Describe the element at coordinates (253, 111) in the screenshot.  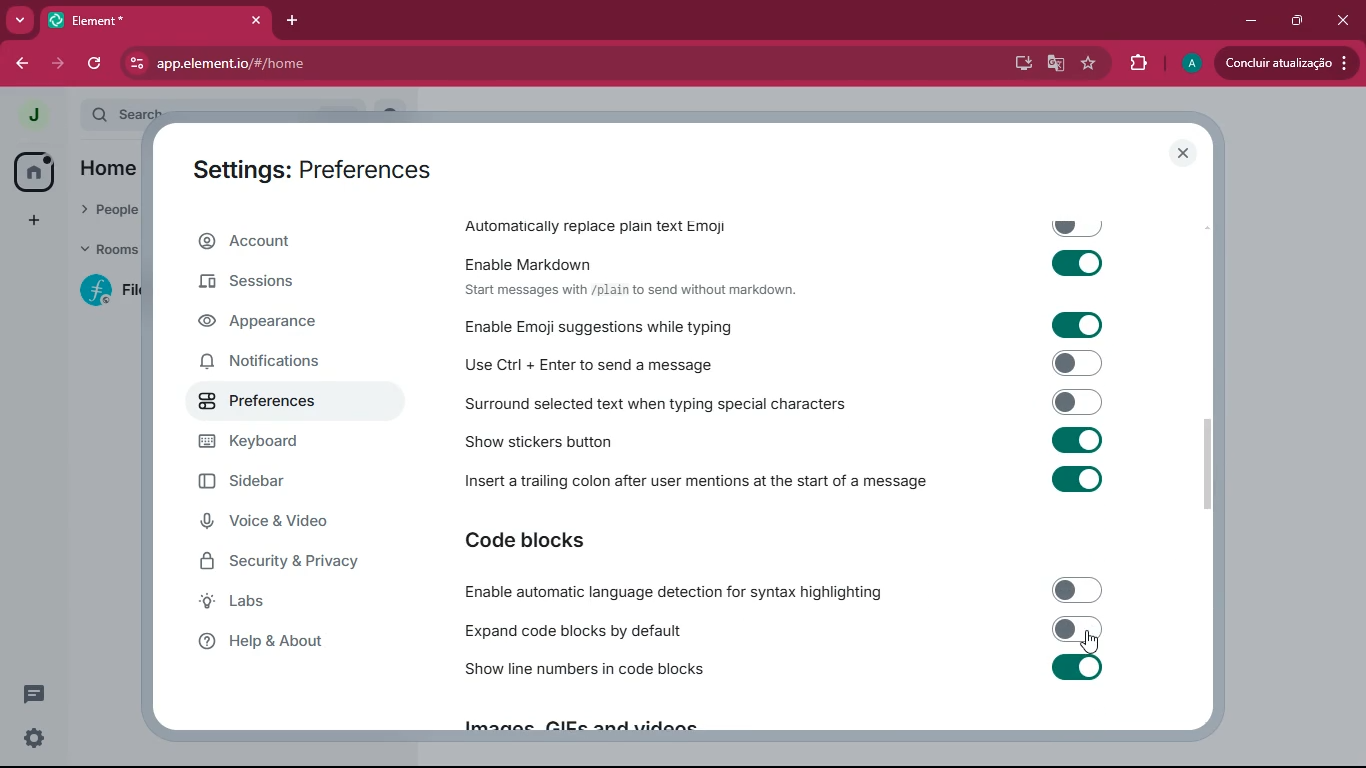
I see `Search` at that location.